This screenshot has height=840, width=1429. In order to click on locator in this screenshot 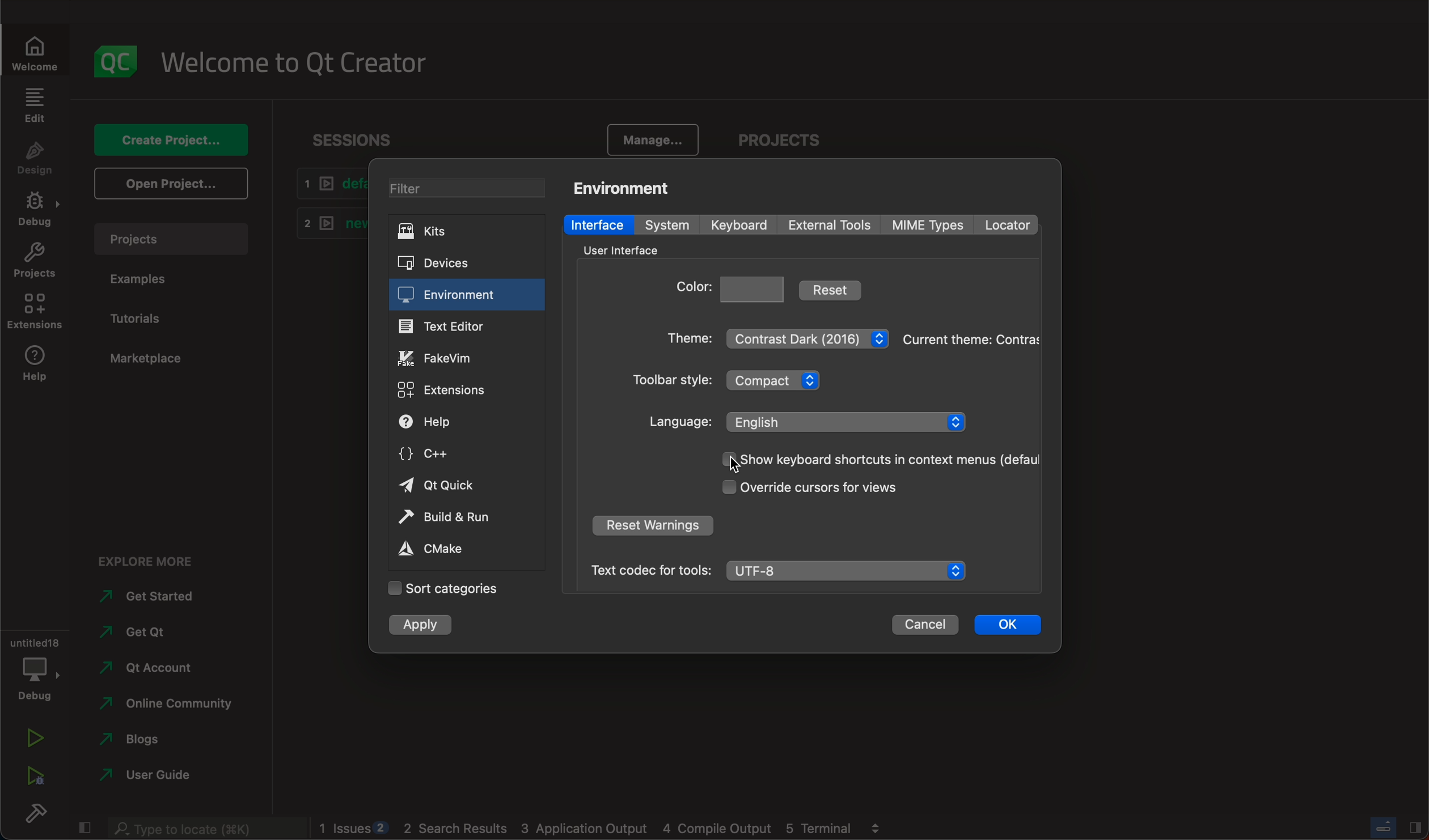, I will do `click(1012, 223)`.